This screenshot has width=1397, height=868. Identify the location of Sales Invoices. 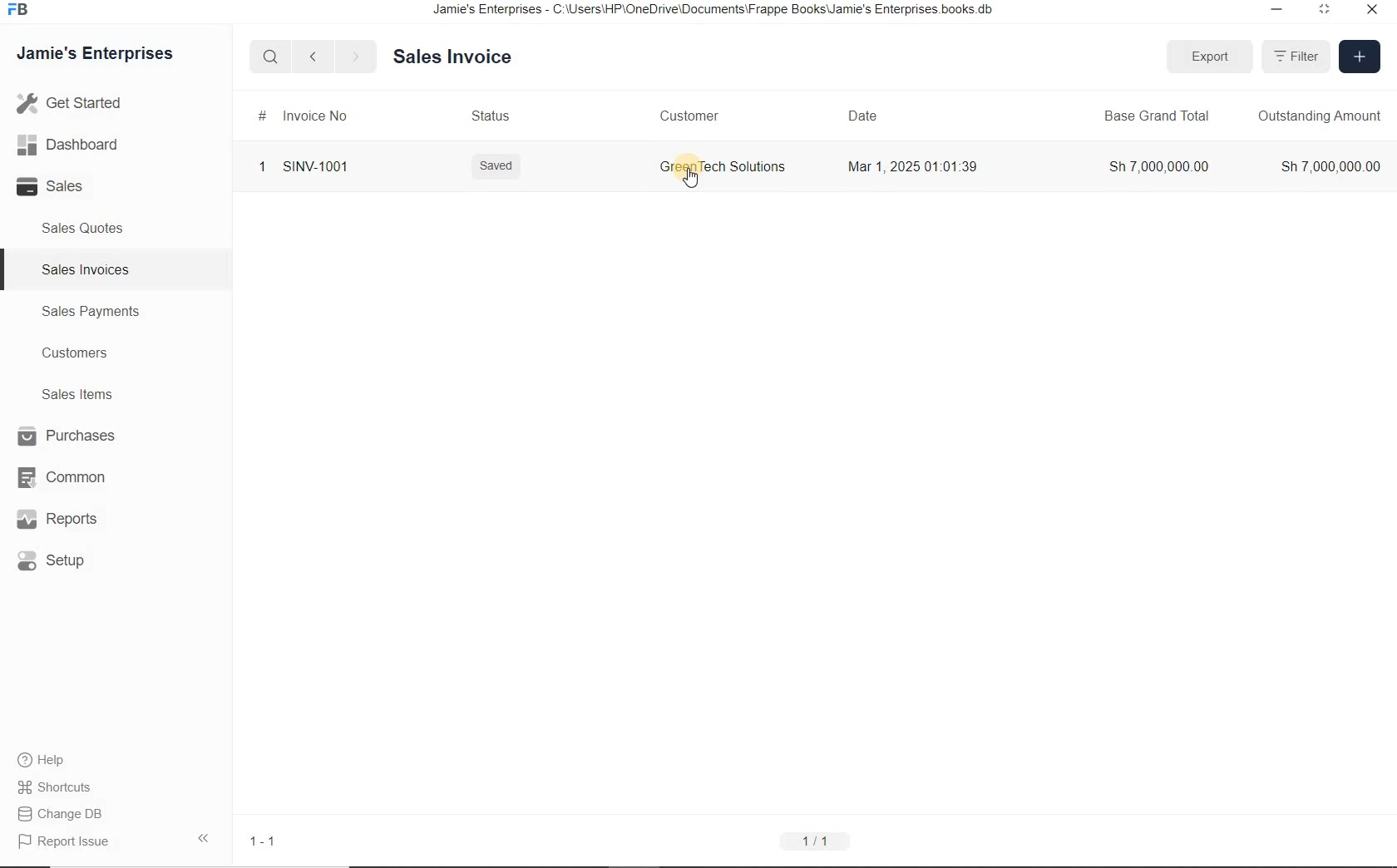
(83, 269).